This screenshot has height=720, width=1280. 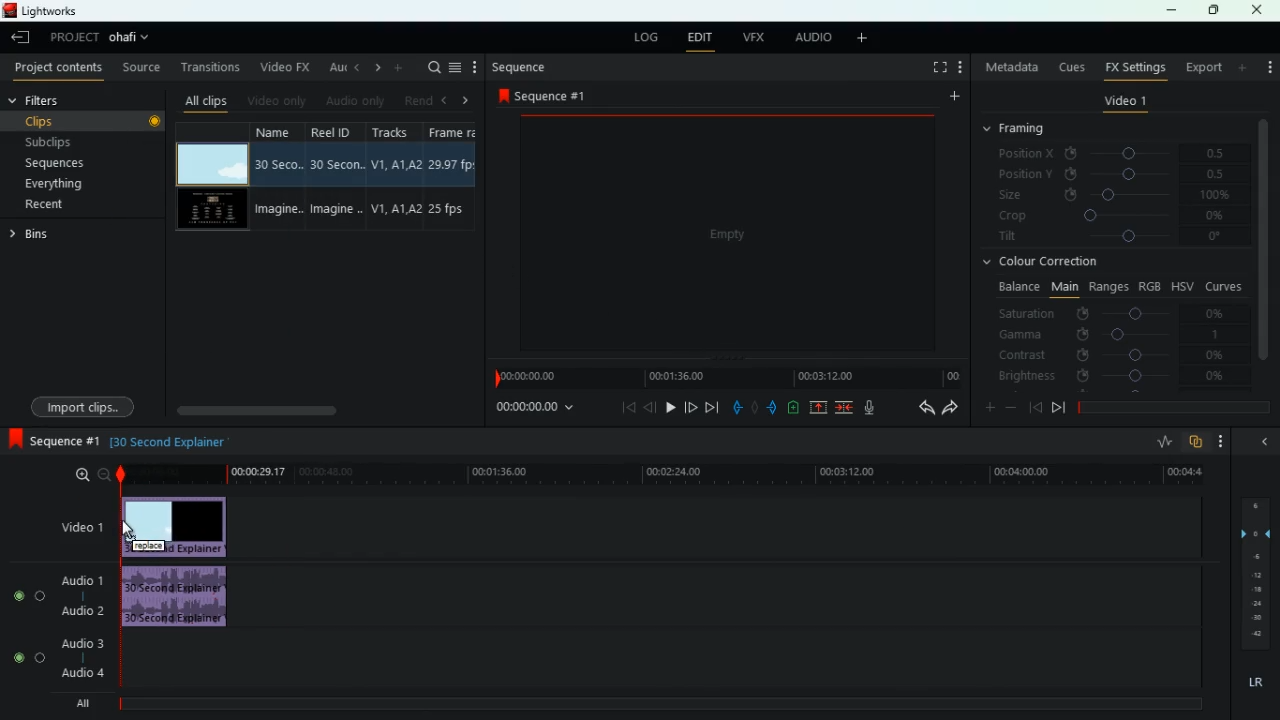 I want to click on more, so click(x=866, y=39).